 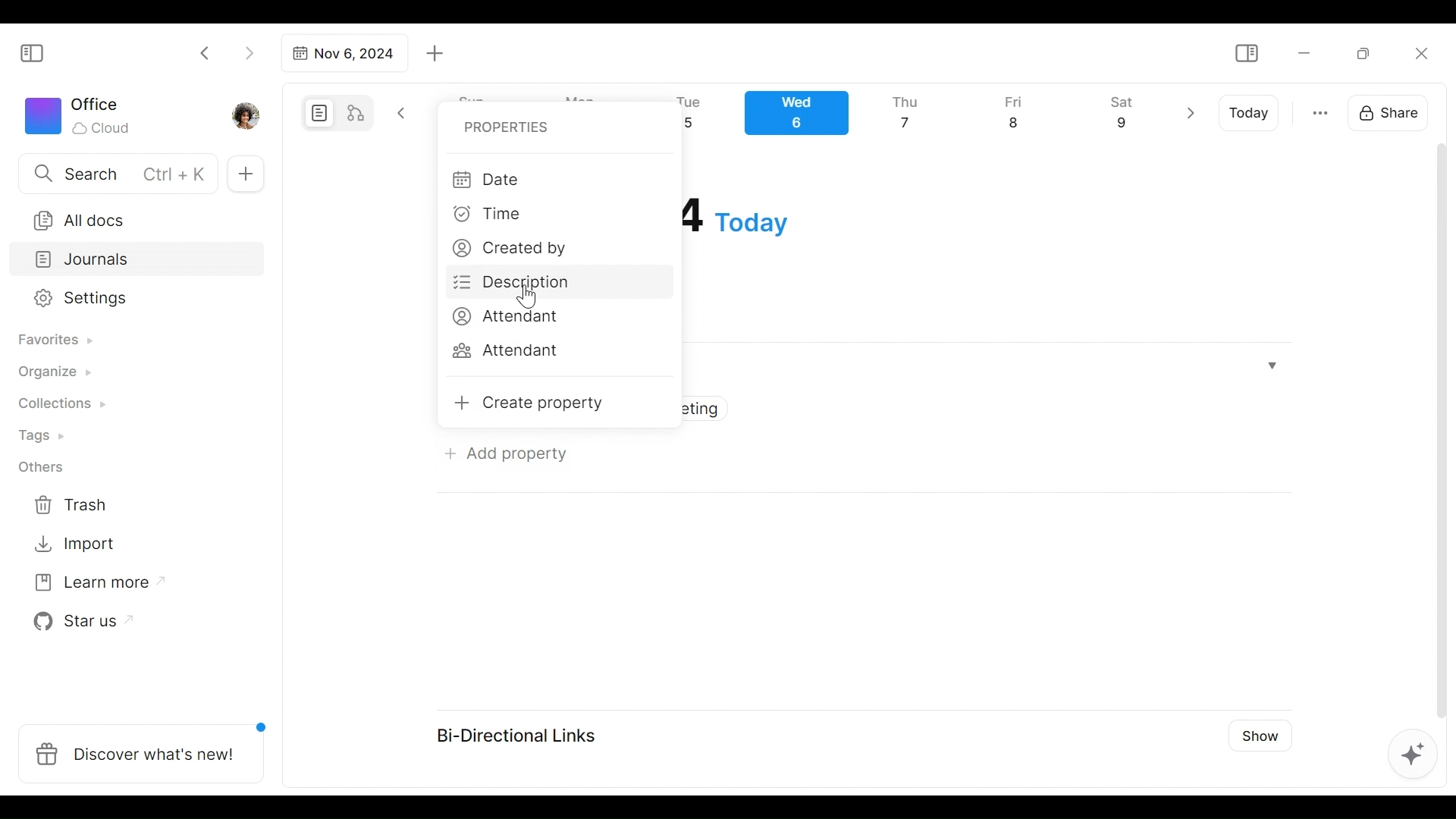 What do you see at coordinates (1442, 431) in the screenshot?
I see `vertical scrollbar` at bounding box center [1442, 431].